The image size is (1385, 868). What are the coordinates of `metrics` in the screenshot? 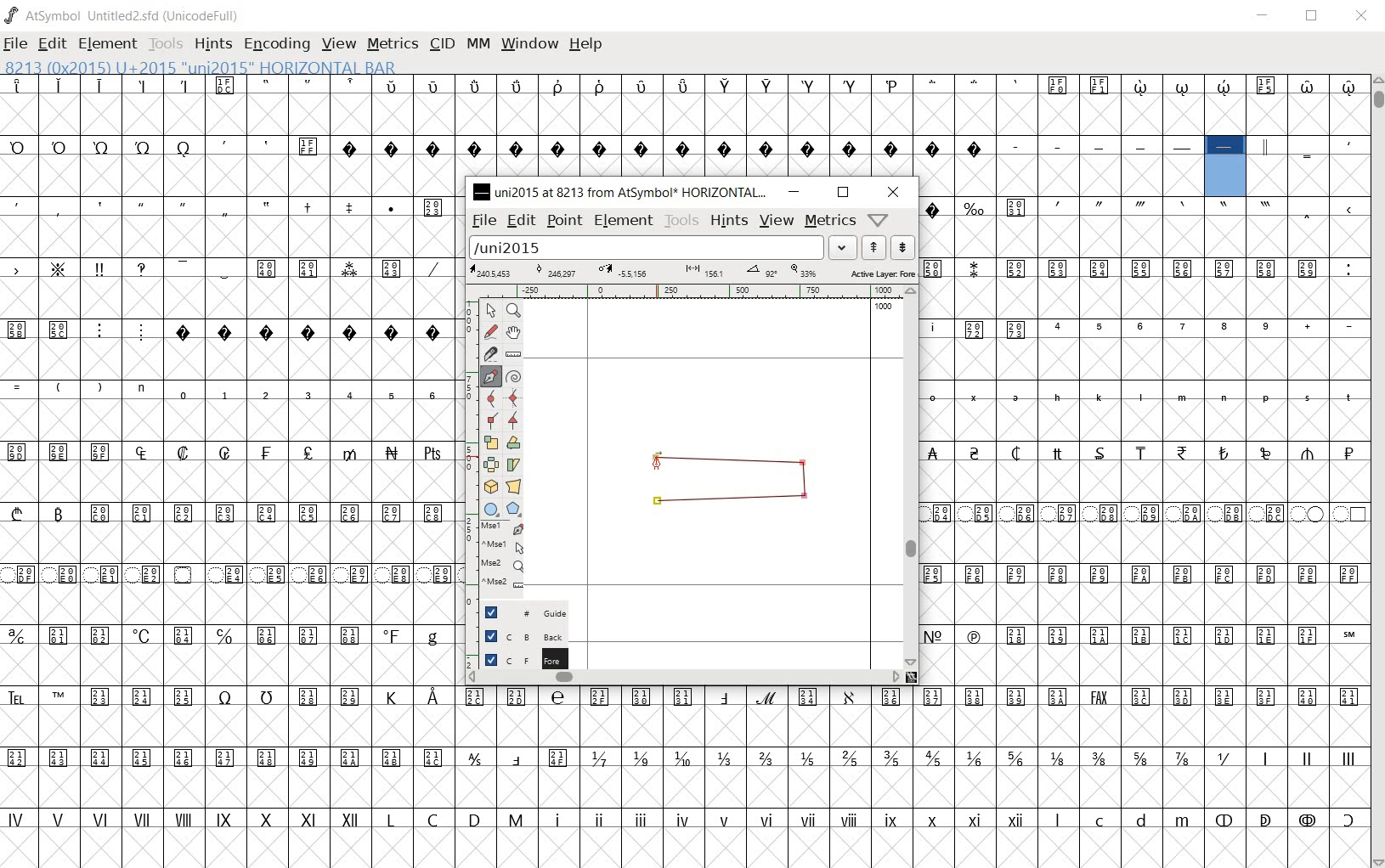 It's located at (828, 220).